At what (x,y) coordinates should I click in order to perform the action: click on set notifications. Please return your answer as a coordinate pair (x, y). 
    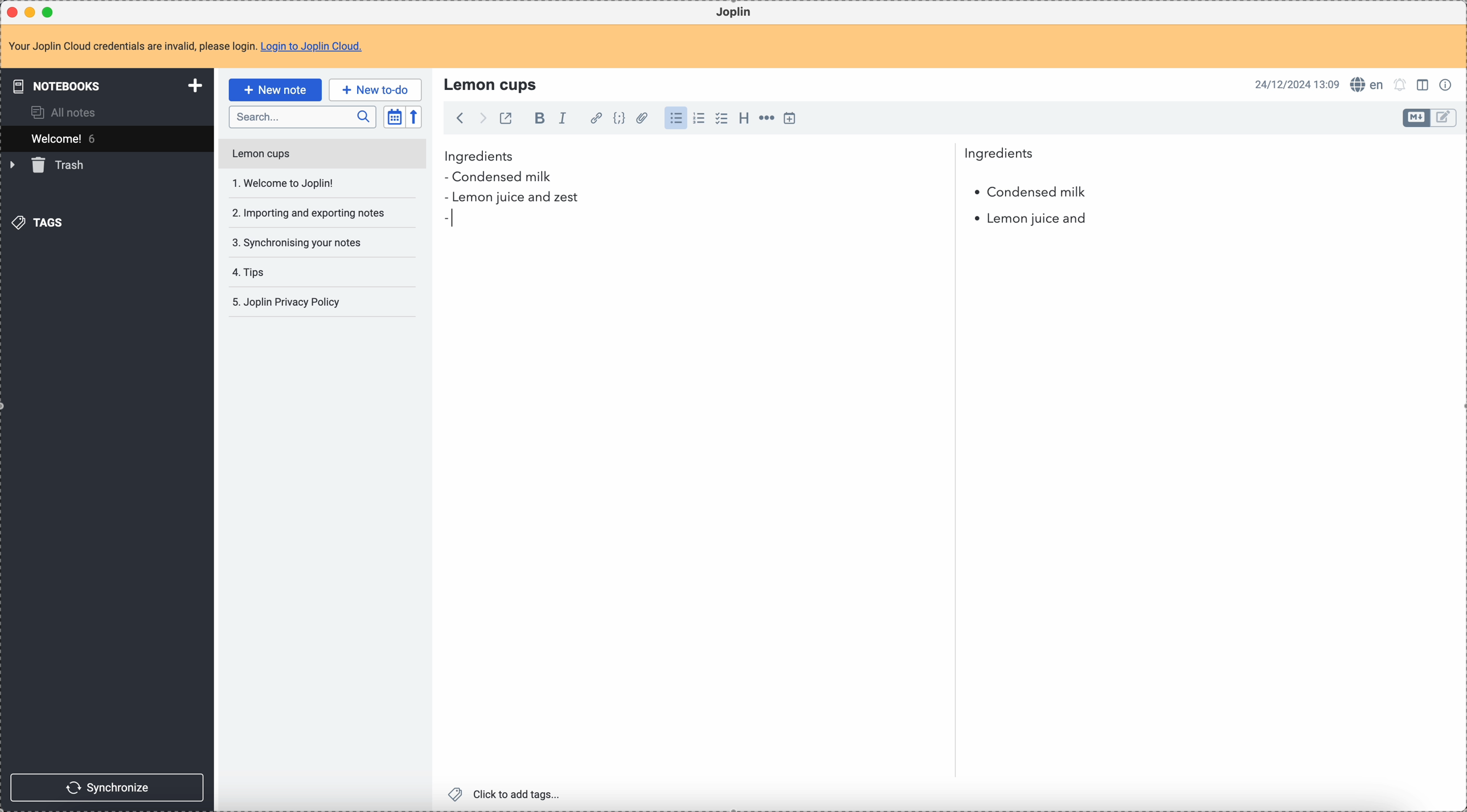
    Looking at the image, I should click on (1400, 84).